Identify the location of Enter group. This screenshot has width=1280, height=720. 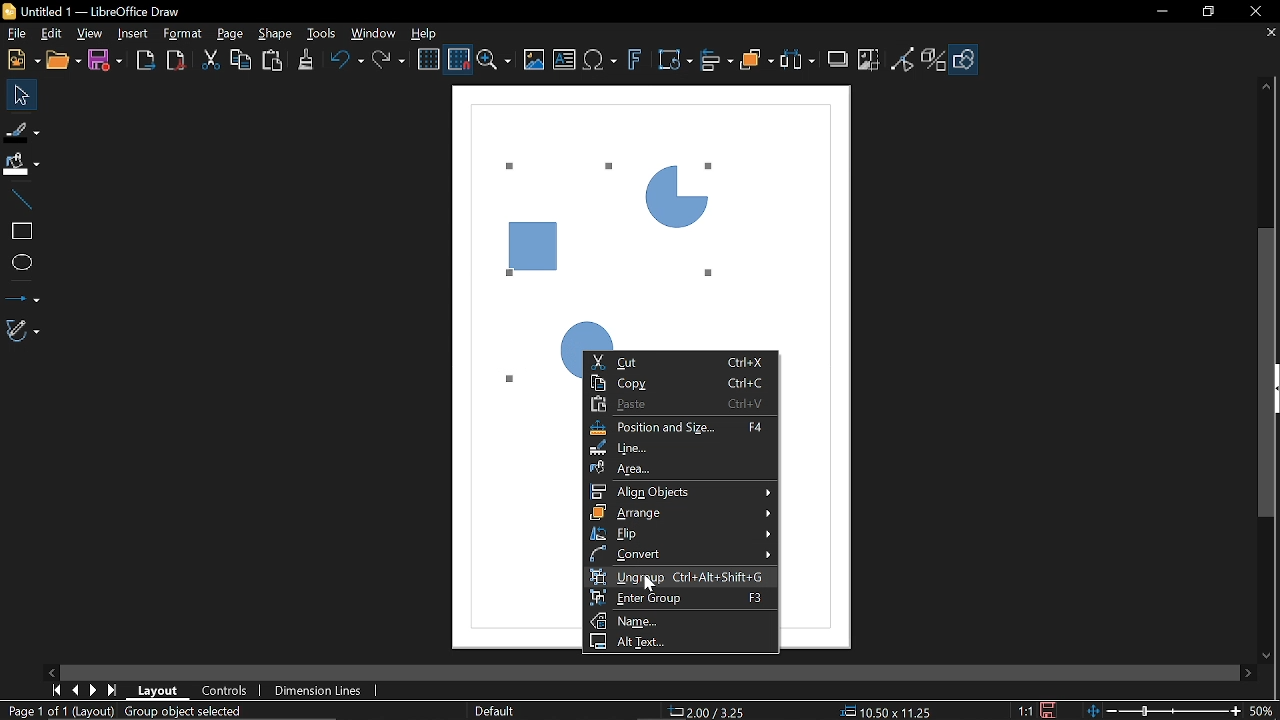
(681, 597).